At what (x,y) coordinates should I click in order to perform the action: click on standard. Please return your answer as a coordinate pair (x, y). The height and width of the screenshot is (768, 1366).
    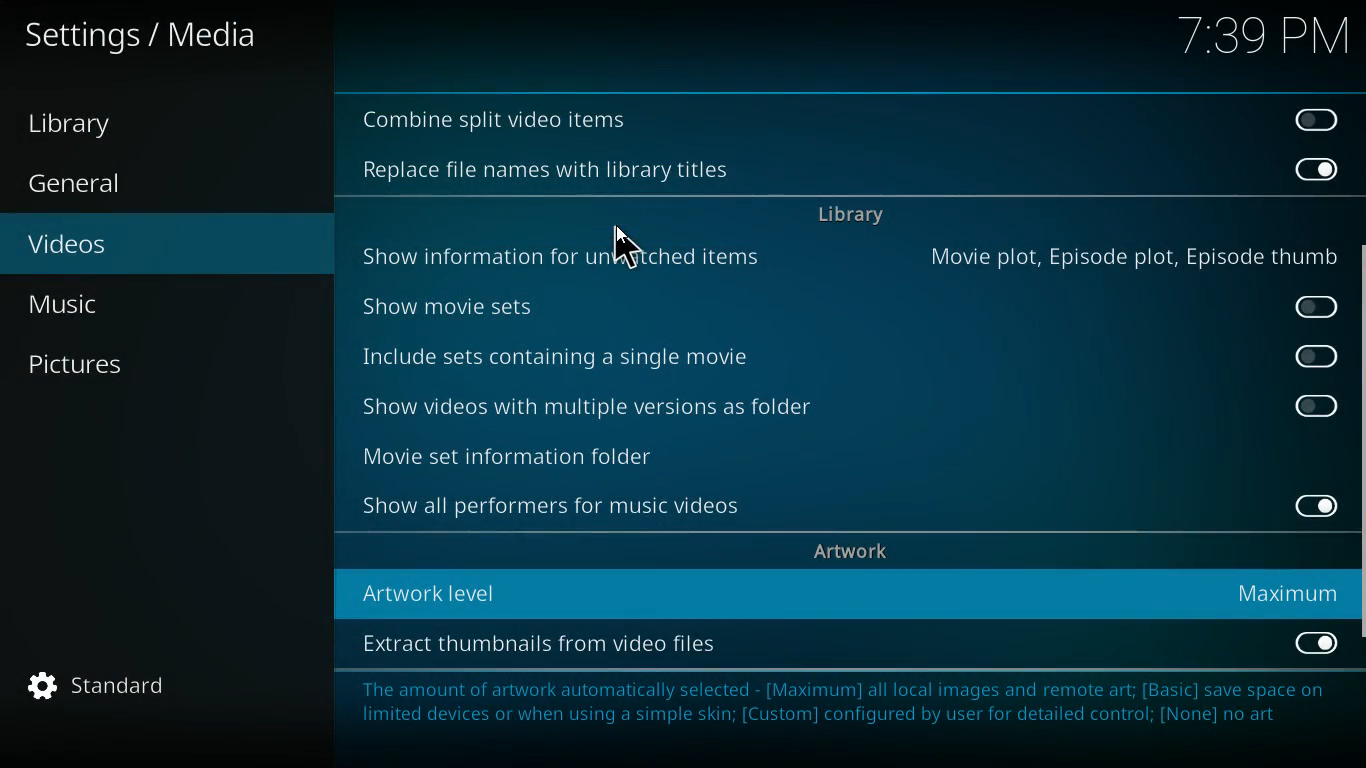
    Looking at the image, I should click on (109, 686).